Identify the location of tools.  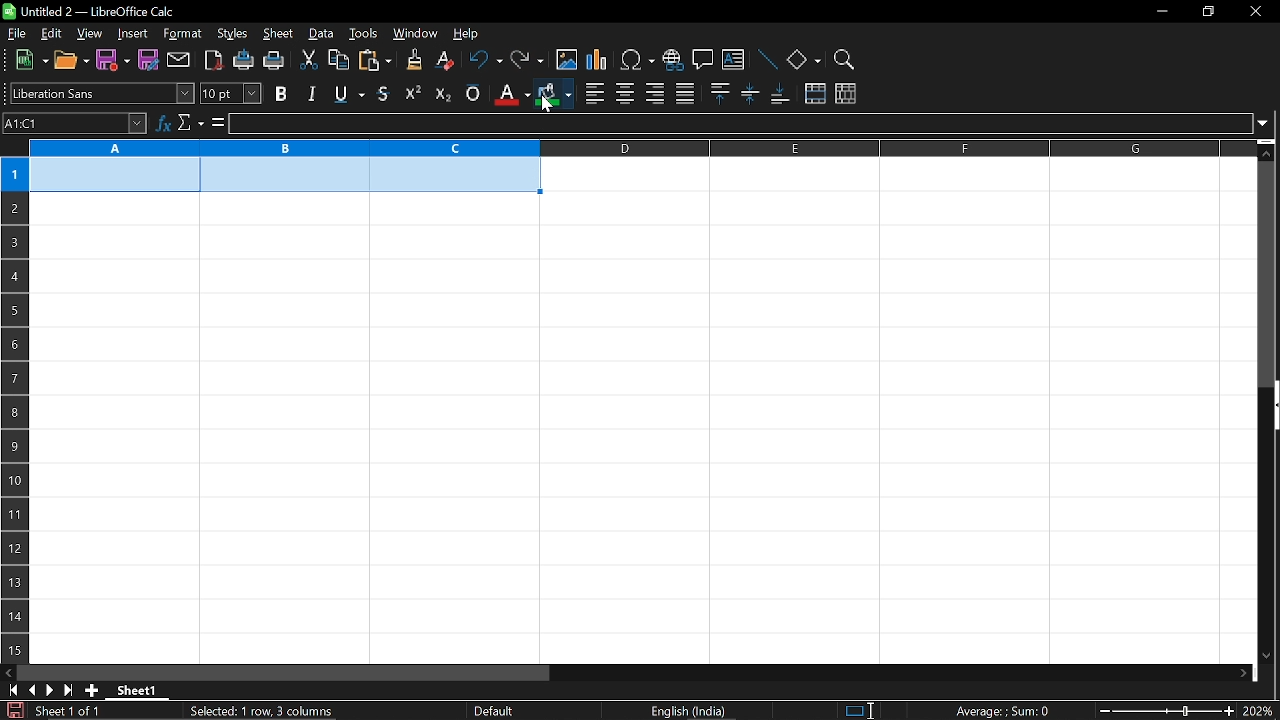
(364, 35).